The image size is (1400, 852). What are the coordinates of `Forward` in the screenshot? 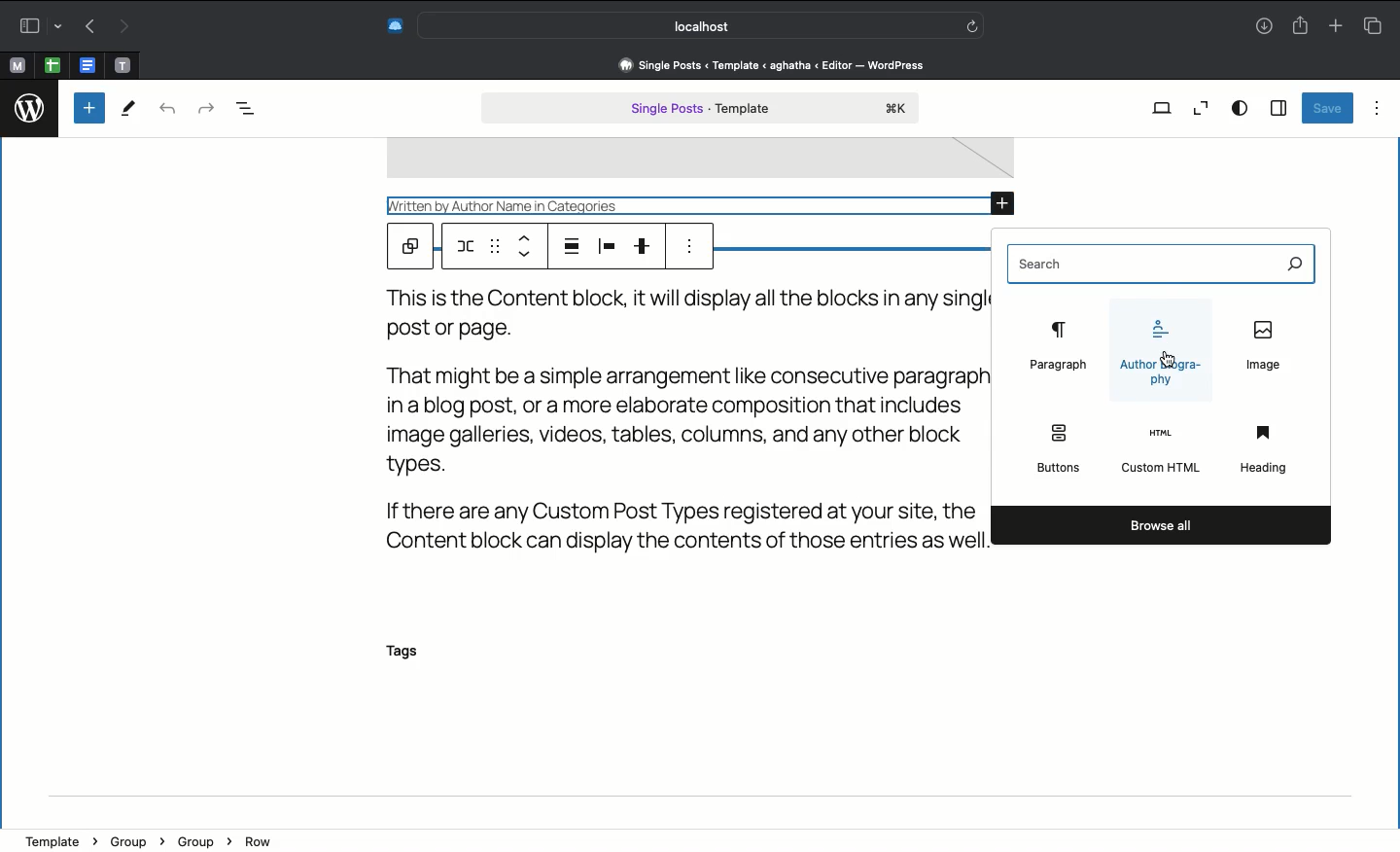 It's located at (125, 27).